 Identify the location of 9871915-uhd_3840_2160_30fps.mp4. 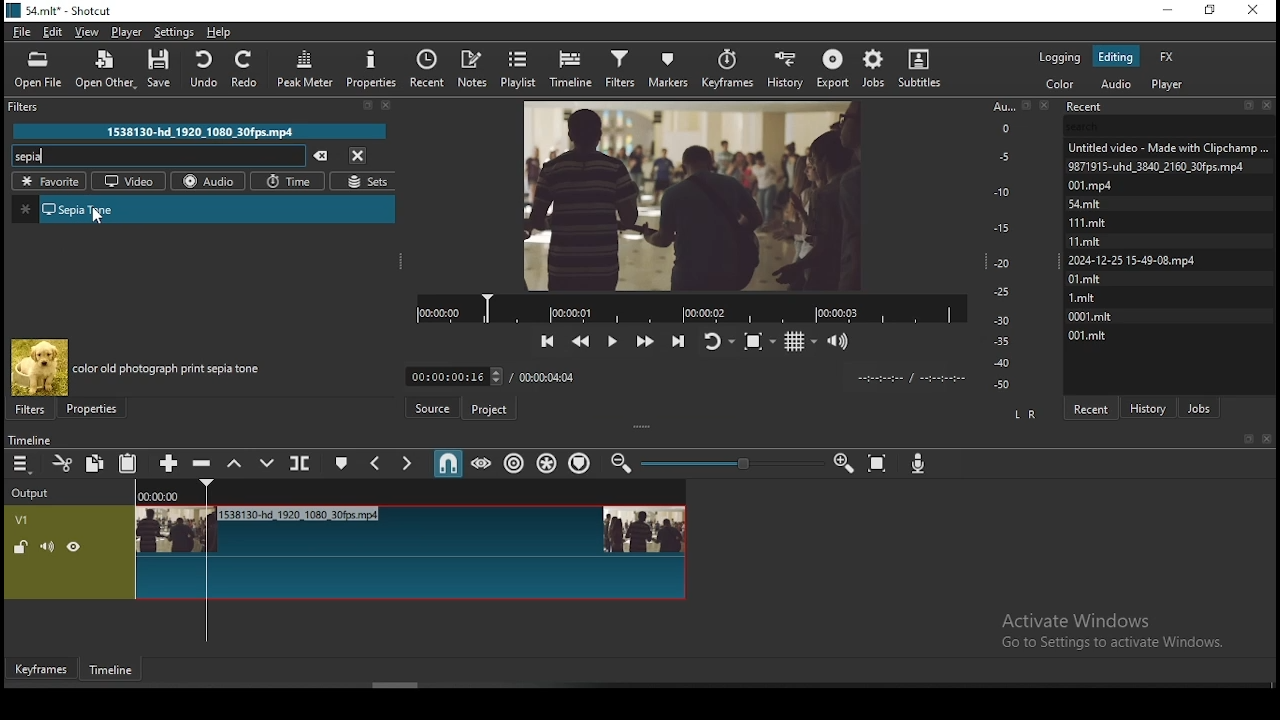
(1158, 165).